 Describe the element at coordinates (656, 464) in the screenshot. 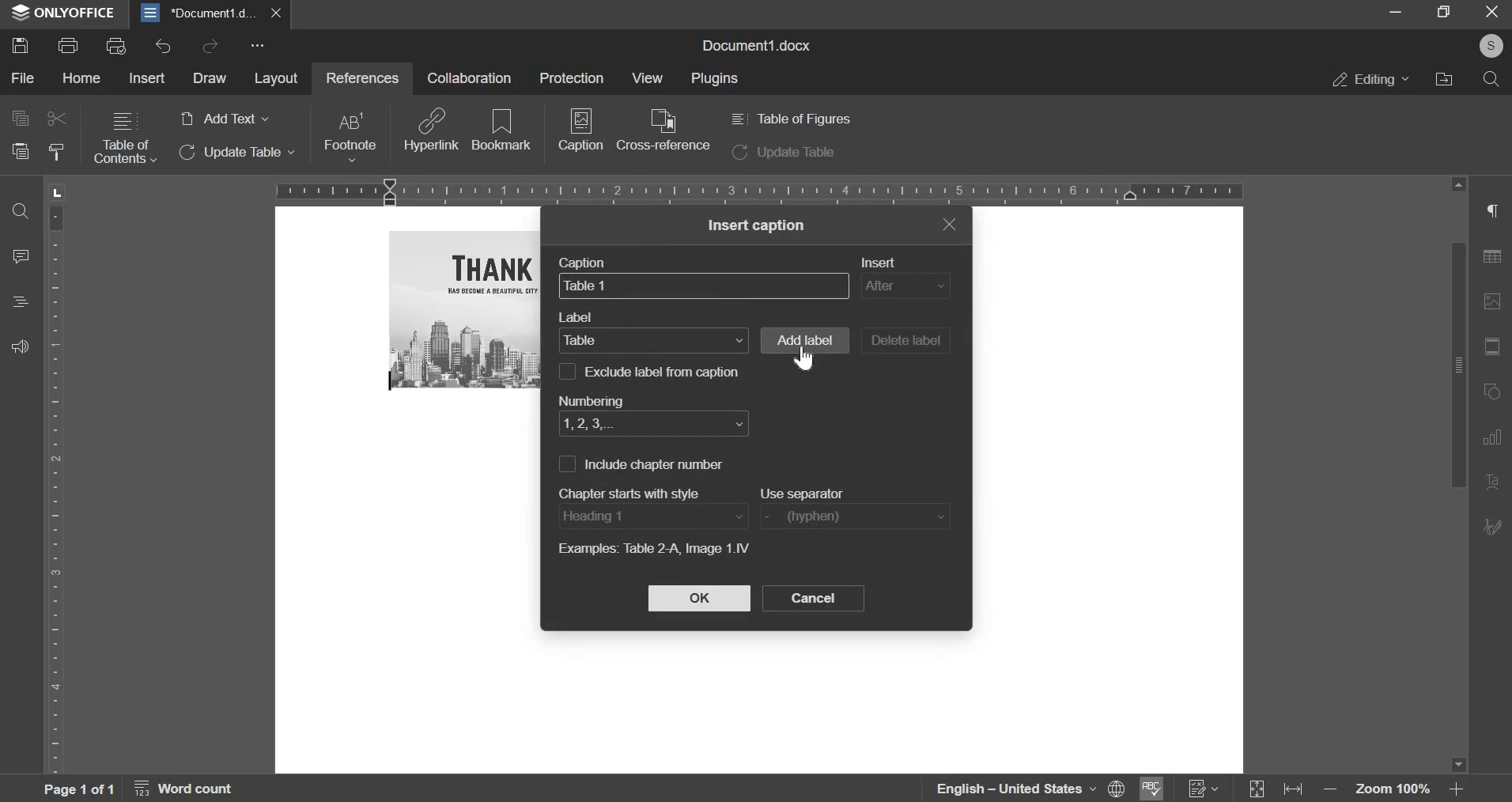

I see `include chapter number` at that location.